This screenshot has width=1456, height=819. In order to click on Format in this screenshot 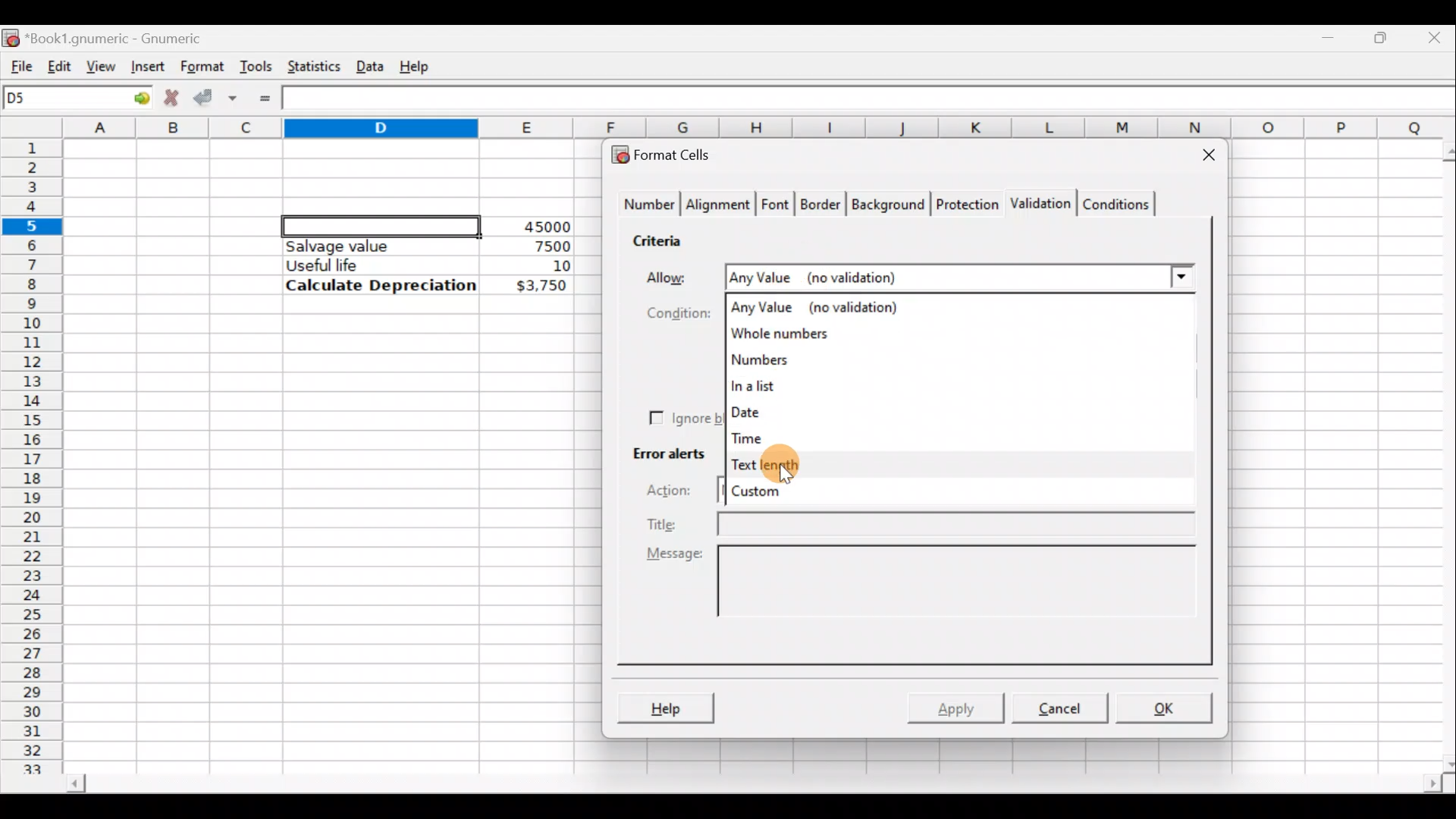, I will do `click(201, 67)`.